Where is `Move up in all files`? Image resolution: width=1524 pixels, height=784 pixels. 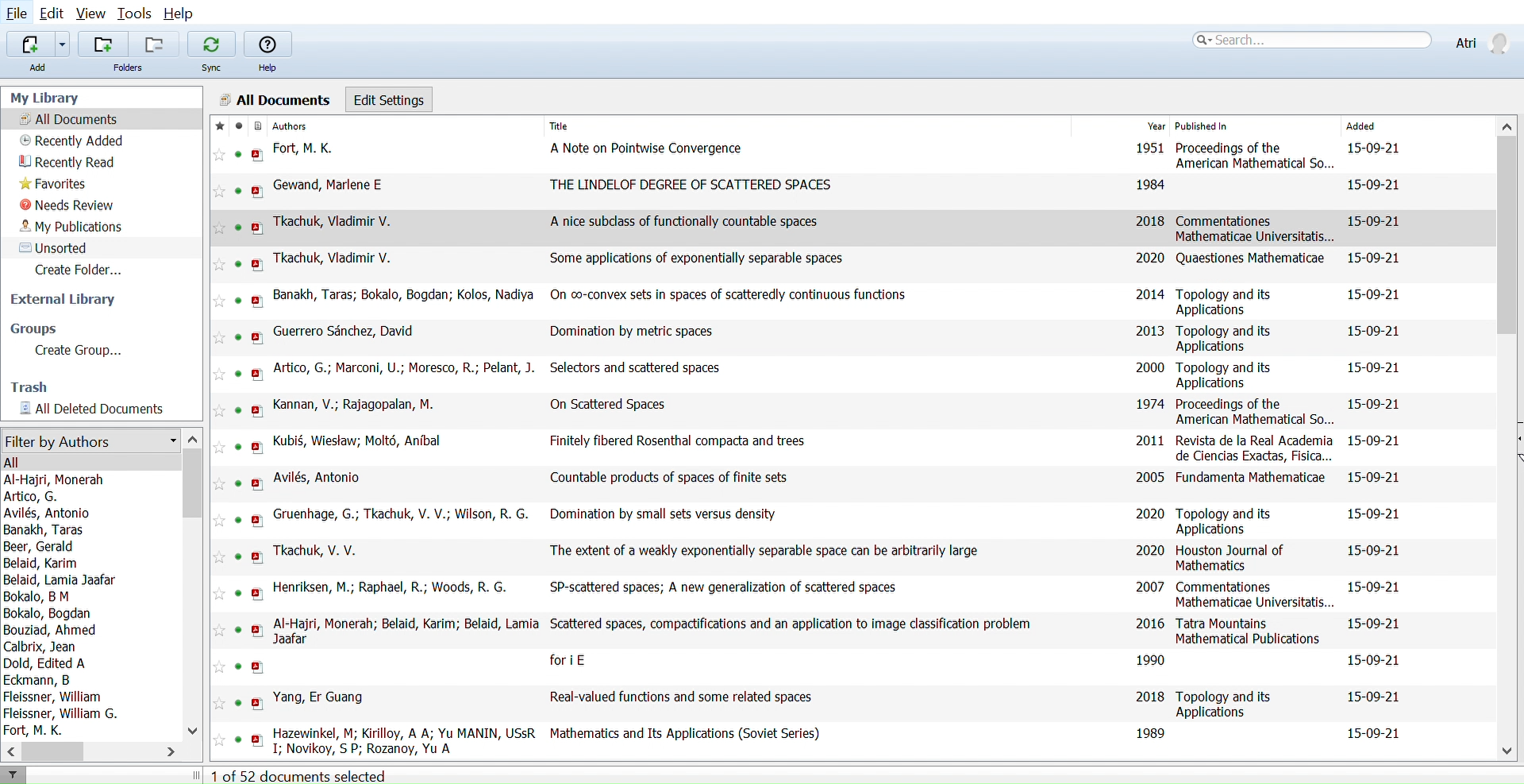
Move up in all files is located at coordinates (1508, 125).